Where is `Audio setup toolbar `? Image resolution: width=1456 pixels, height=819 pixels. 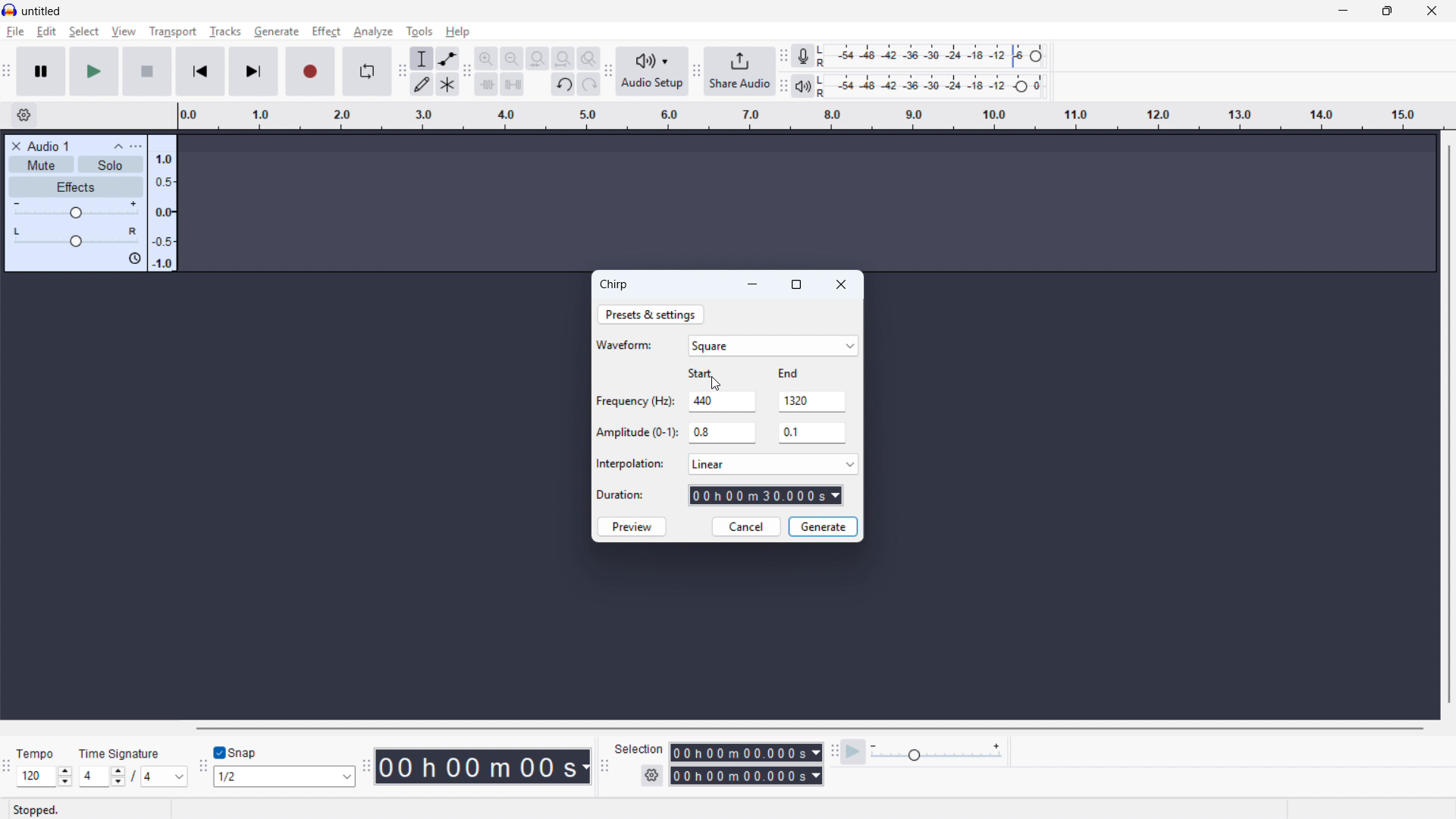
Audio setup toolbar  is located at coordinates (608, 71).